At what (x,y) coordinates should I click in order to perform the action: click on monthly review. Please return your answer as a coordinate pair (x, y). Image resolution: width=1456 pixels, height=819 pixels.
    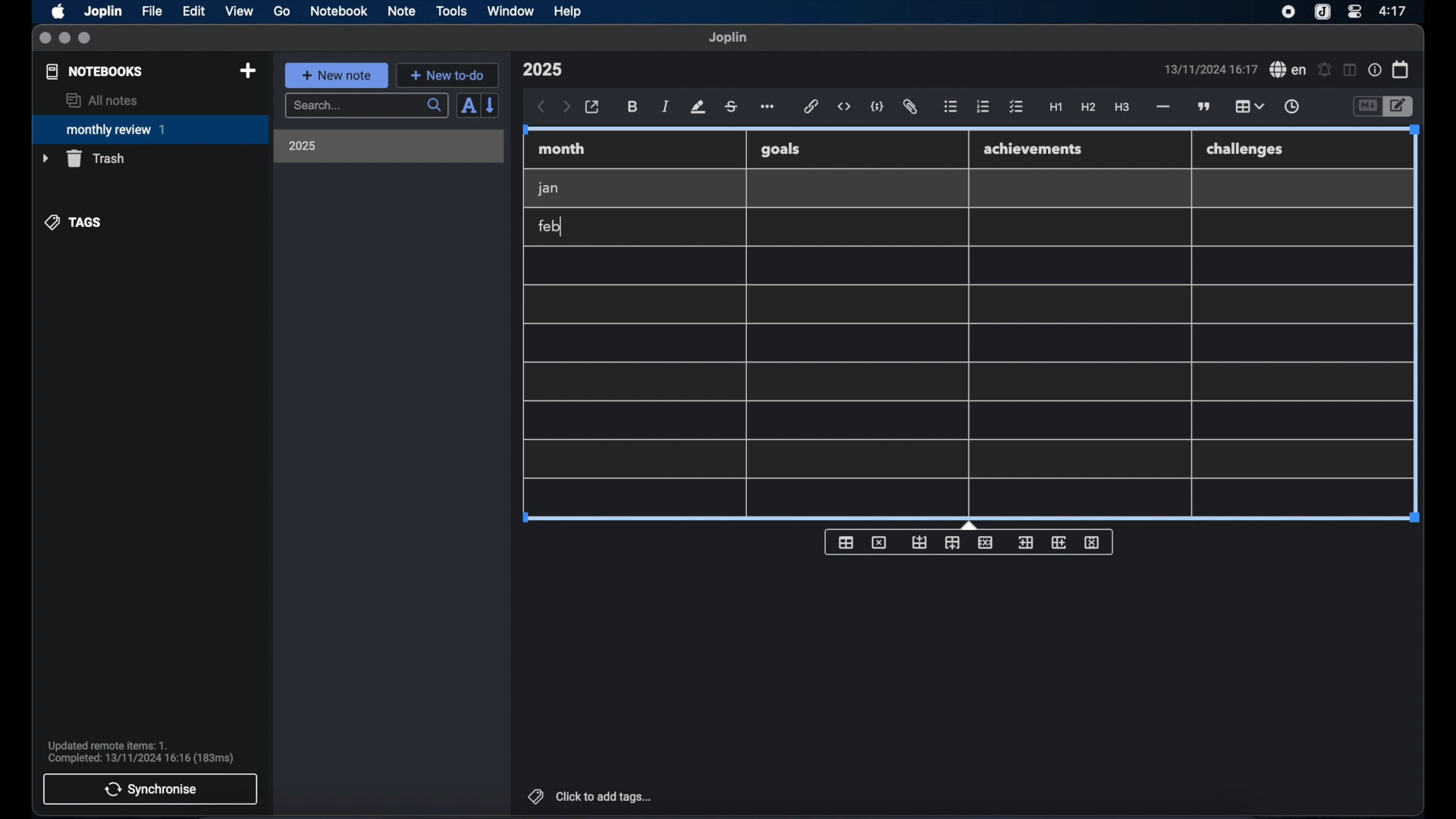
    Looking at the image, I should click on (150, 128).